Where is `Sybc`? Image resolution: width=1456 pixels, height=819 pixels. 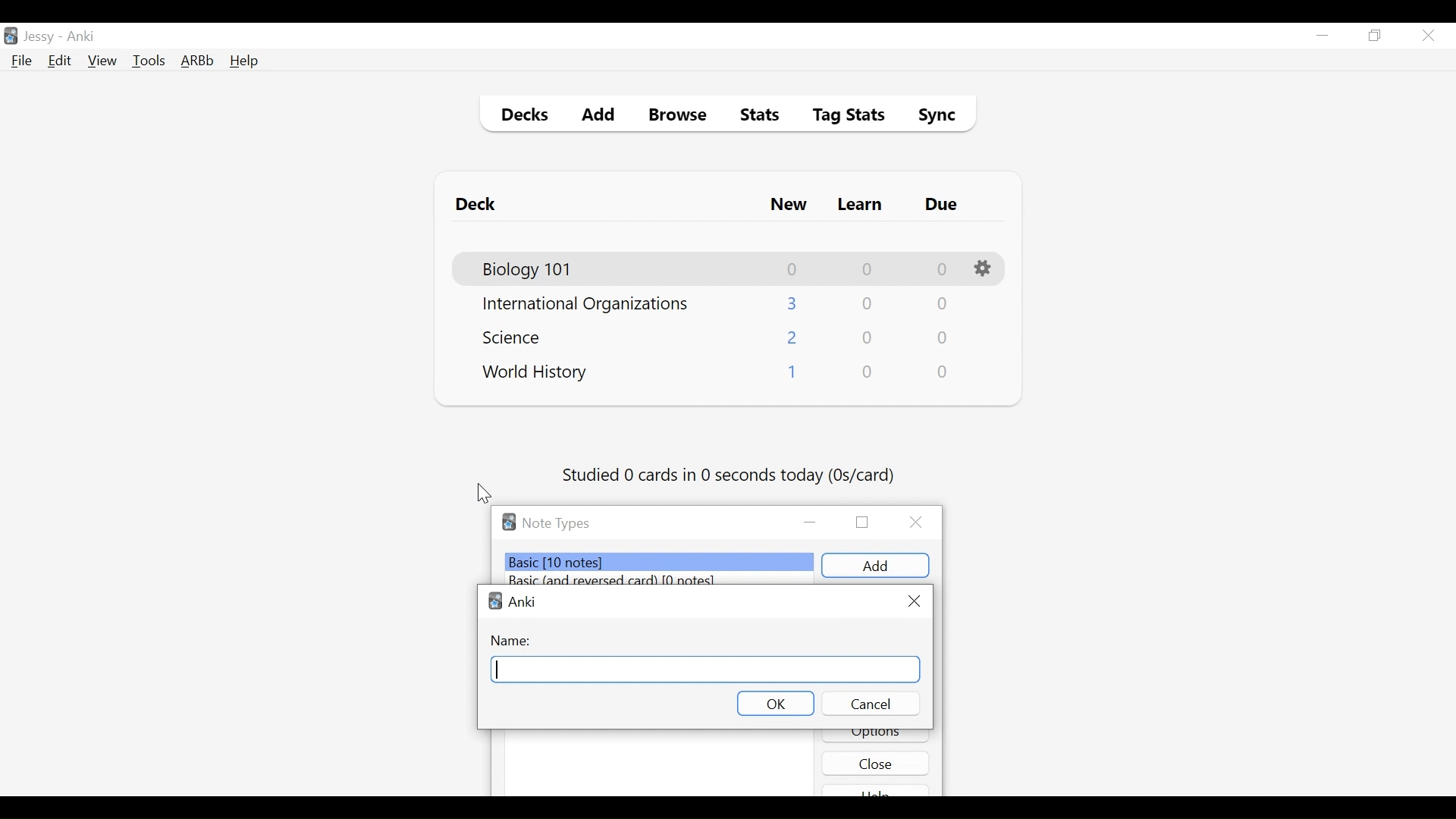
Sybc is located at coordinates (931, 117).